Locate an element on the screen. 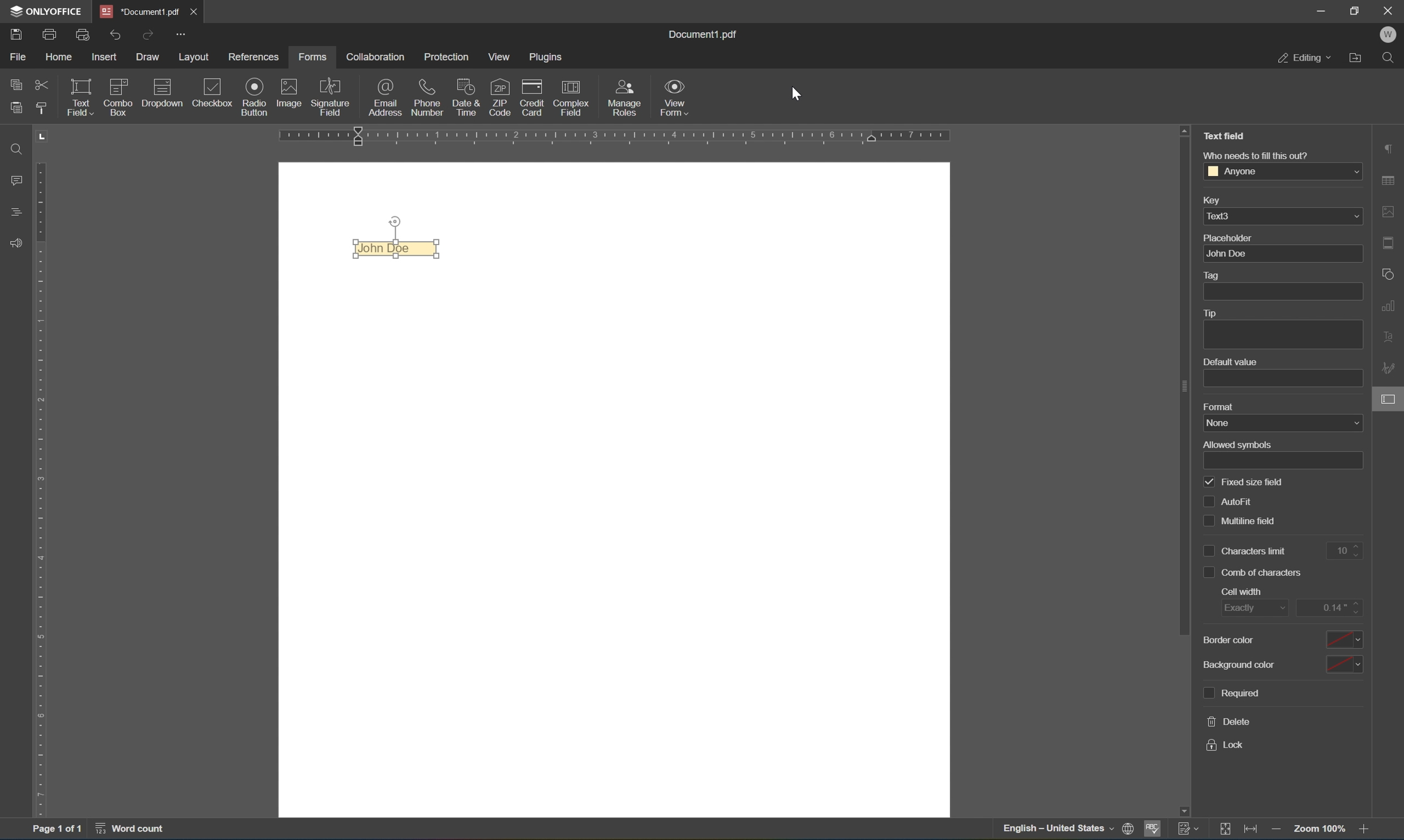 This screenshot has width=1404, height=840. name is located at coordinates (1247, 421).